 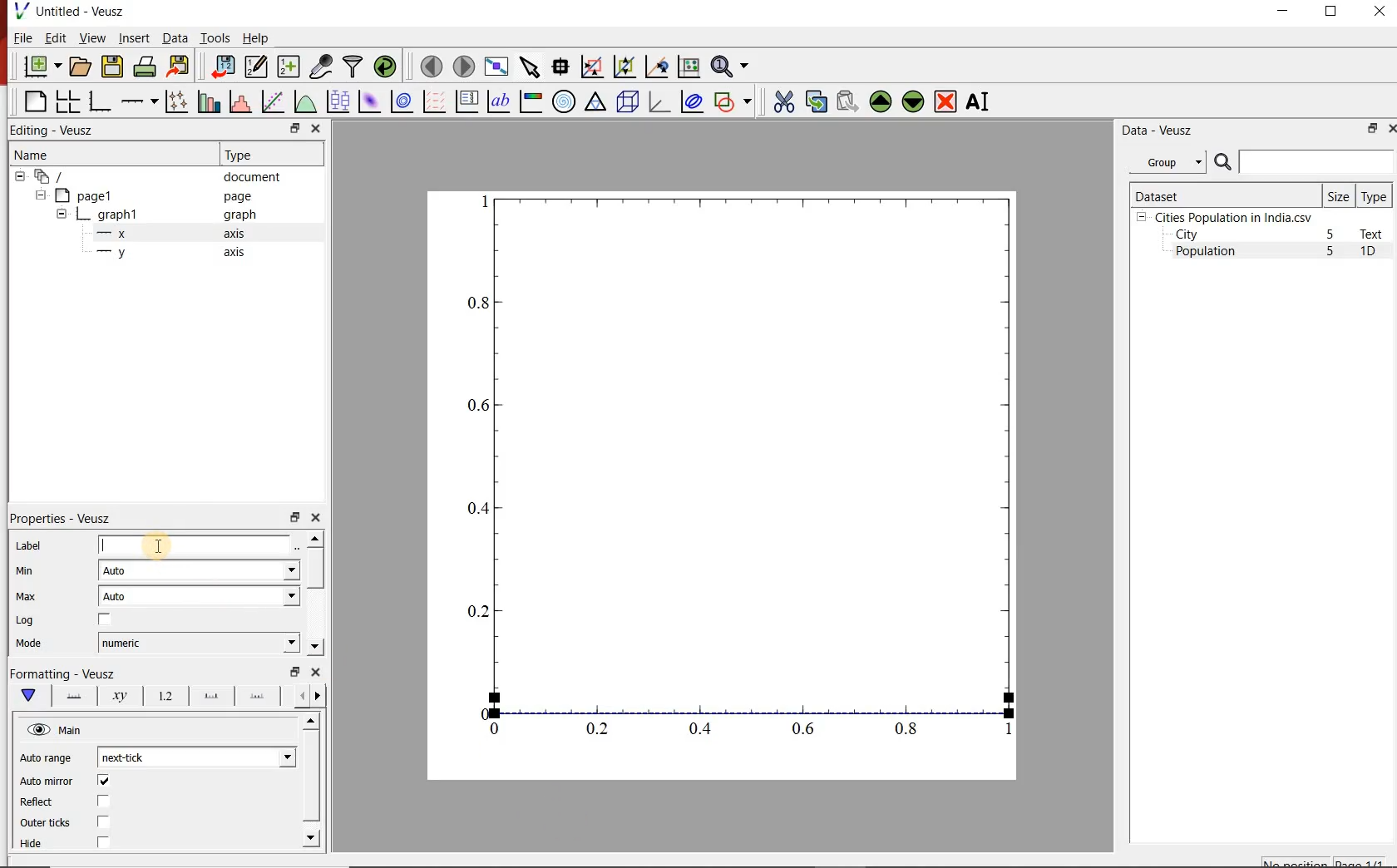 What do you see at coordinates (54, 38) in the screenshot?
I see `Edit` at bounding box center [54, 38].